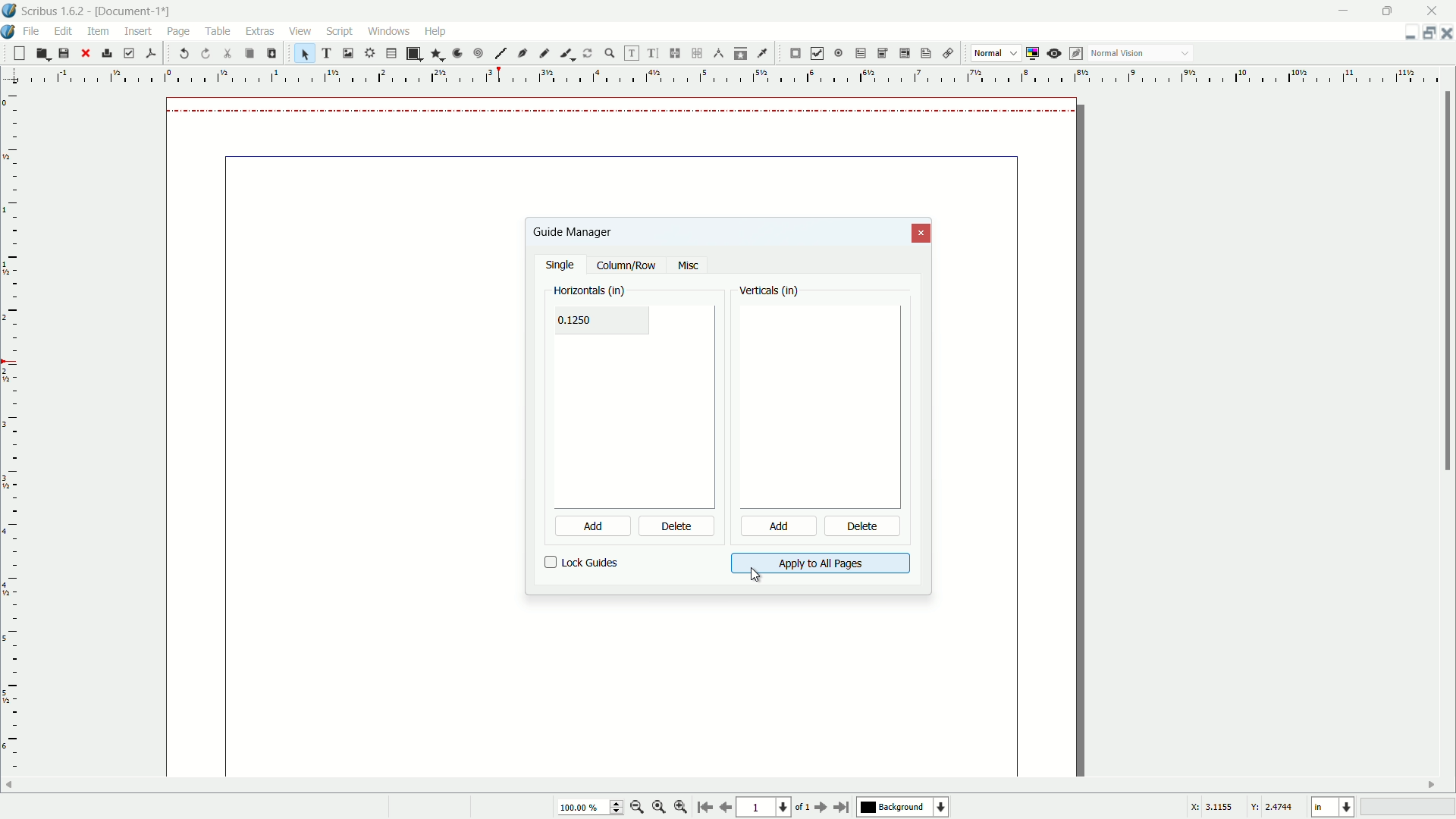  I want to click on shape, so click(413, 54).